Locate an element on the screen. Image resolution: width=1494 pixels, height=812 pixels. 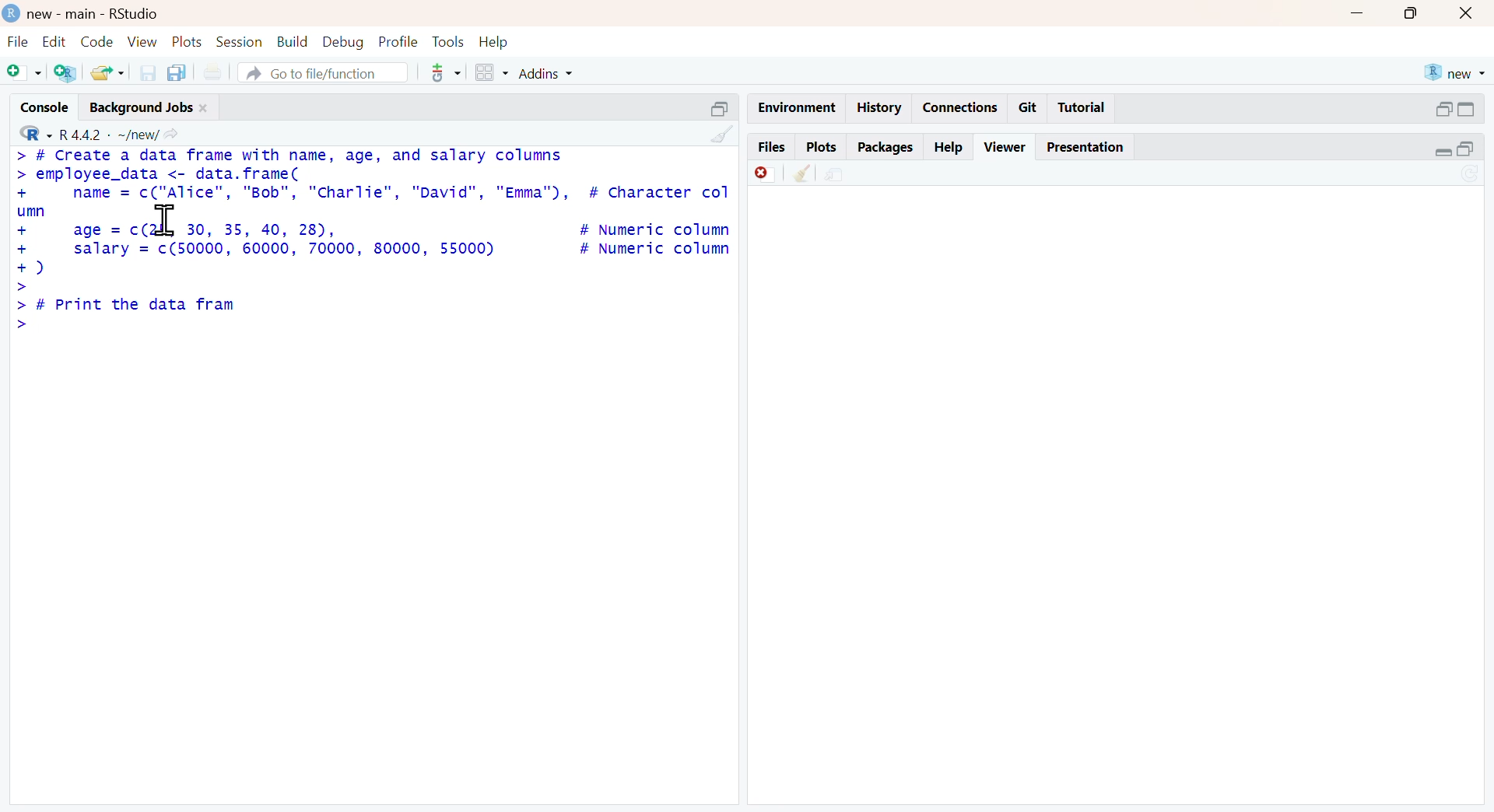
Tutorial is located at coordinates (1086, 107).